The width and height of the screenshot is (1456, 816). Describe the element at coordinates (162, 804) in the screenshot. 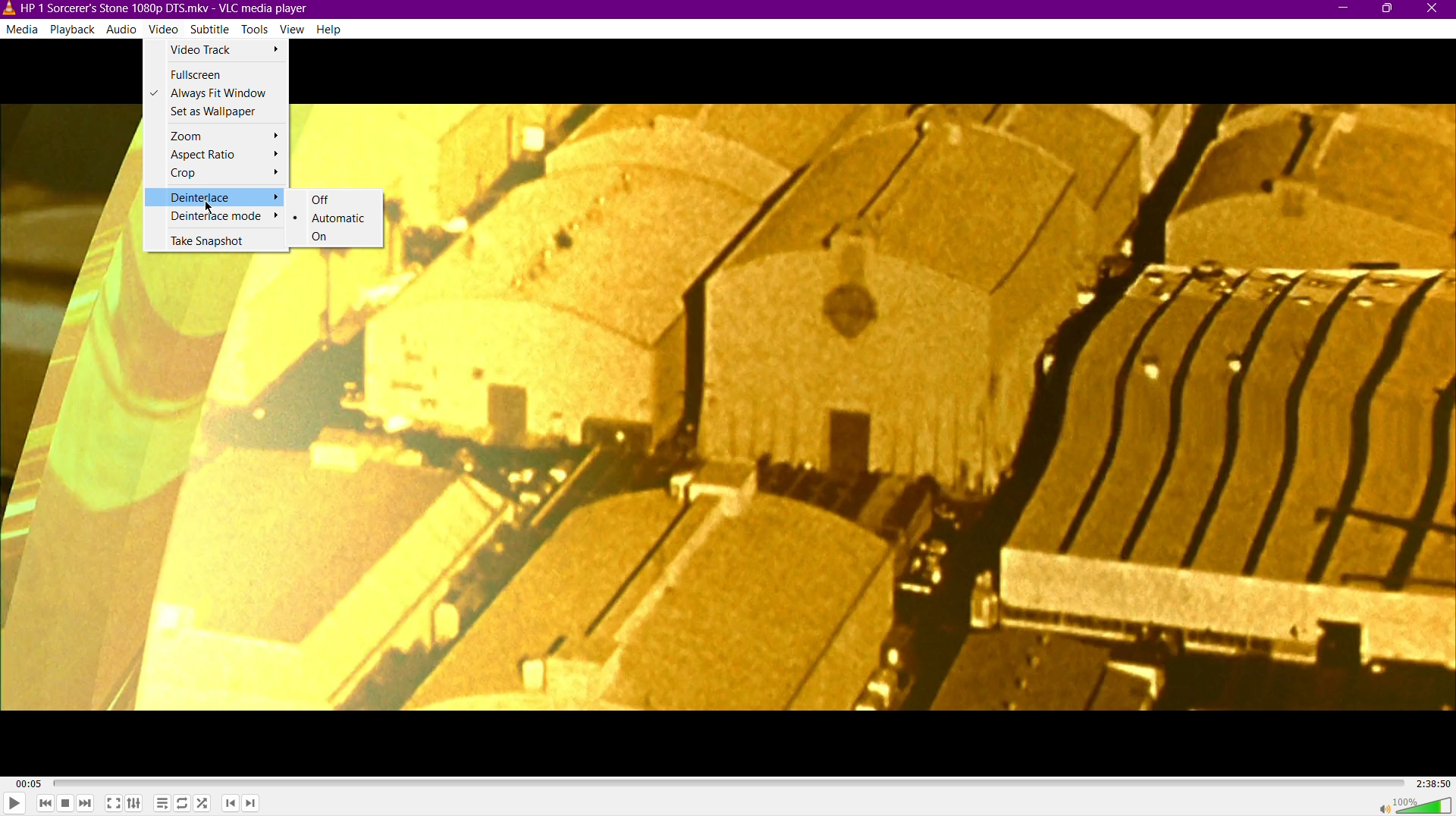

I see `Toggle playlist` at that location.